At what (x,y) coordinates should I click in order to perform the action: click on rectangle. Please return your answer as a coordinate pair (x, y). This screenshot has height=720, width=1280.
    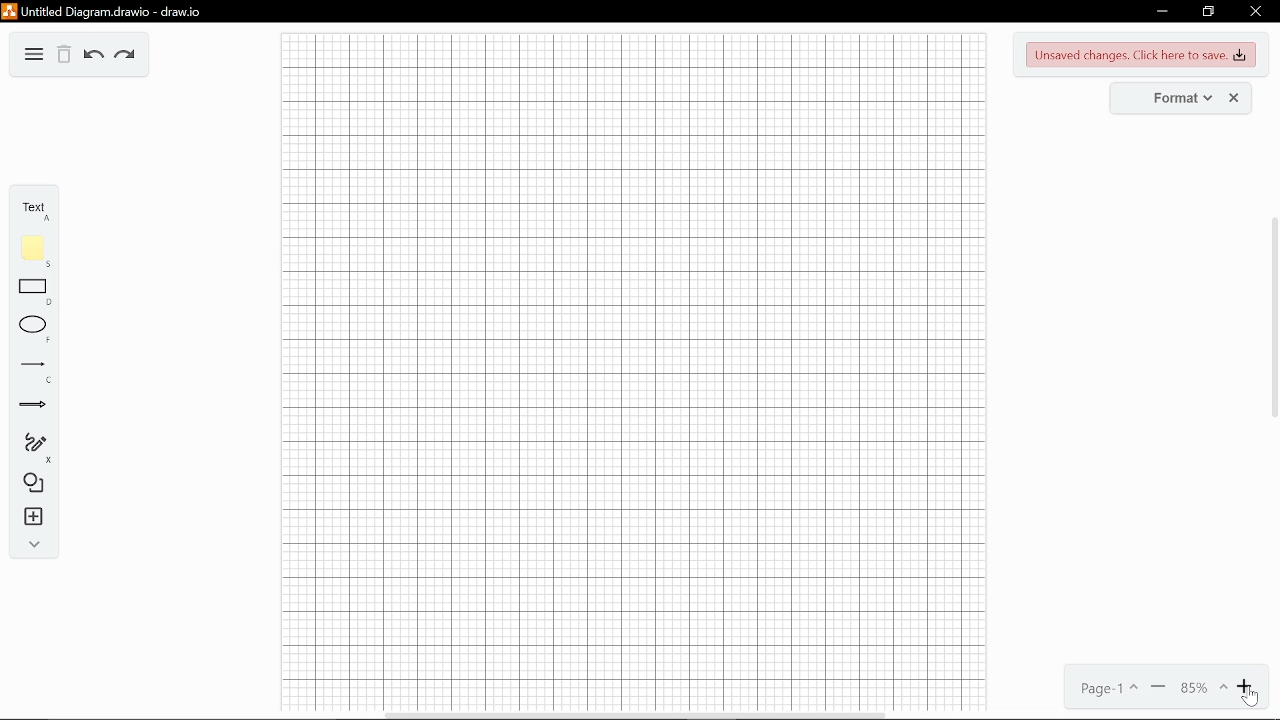
    Looking at the image, I should click on (28, 292).